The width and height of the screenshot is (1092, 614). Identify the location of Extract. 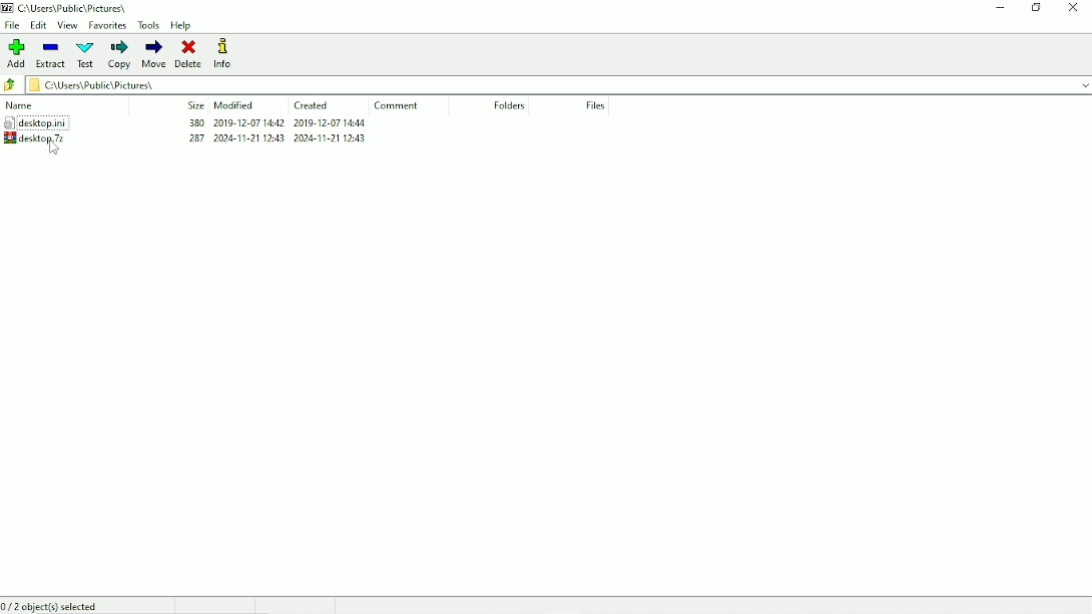
(51, 54).